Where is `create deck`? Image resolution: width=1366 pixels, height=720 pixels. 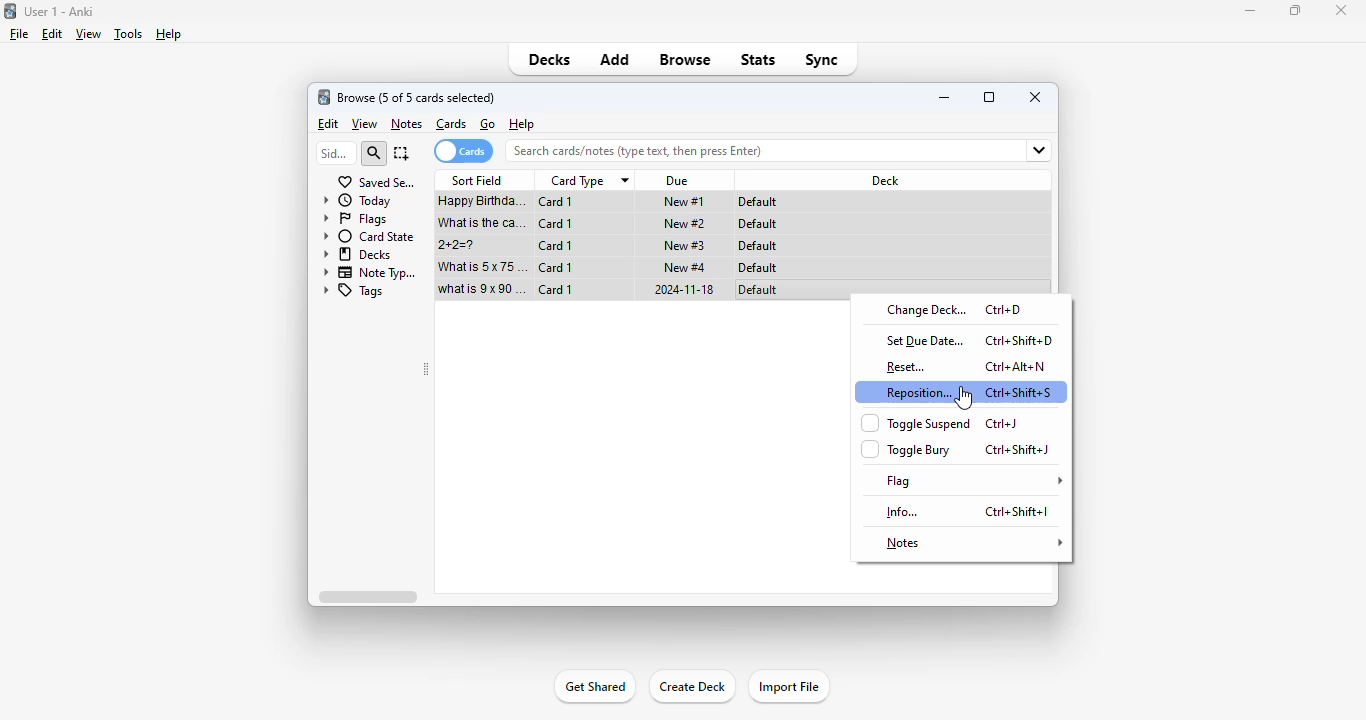
create deck is located at coordinates (691, 686).